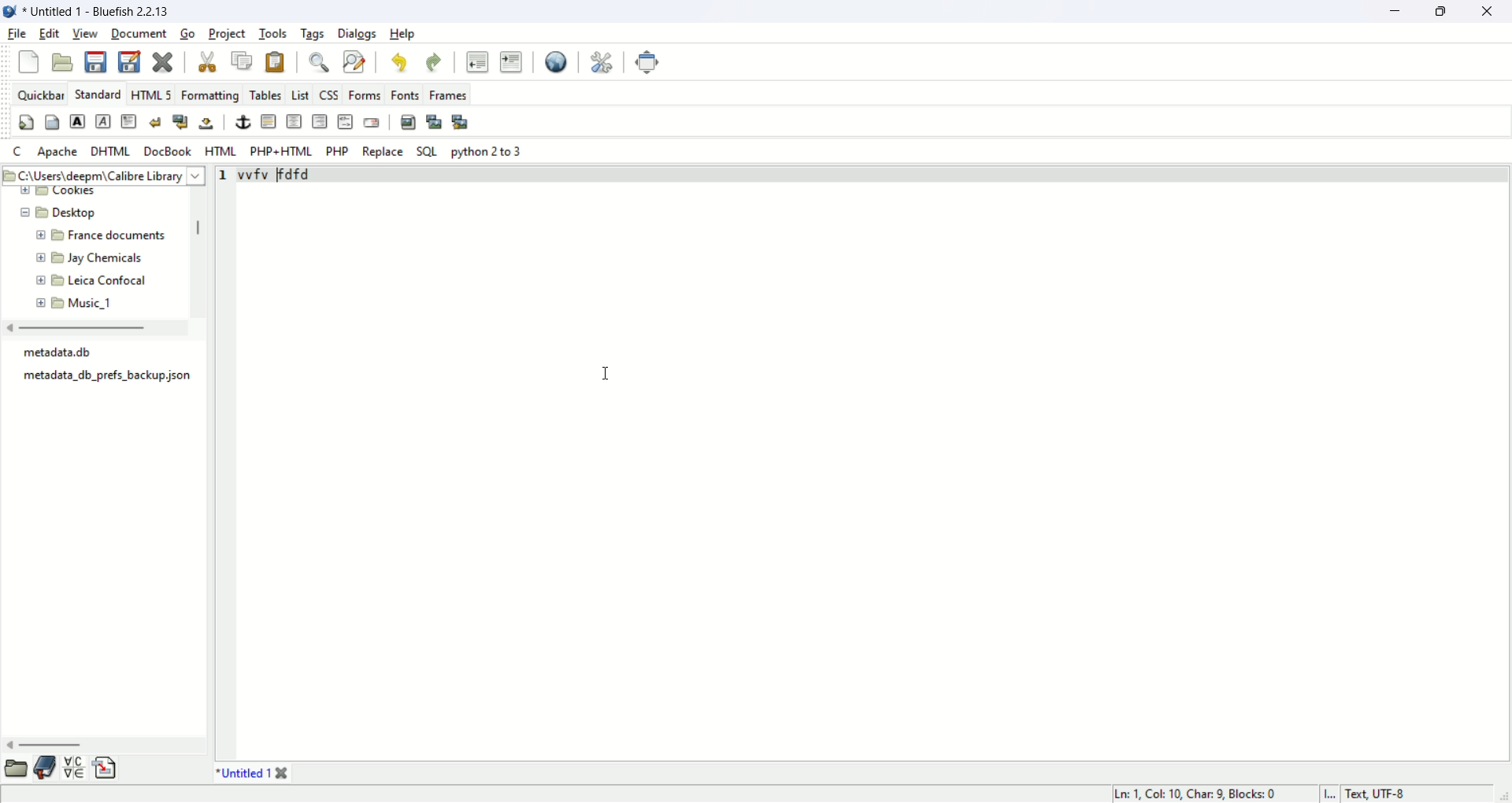 This screenshot has height=803, width=1512. I want to click on line number, so click(228, 464).